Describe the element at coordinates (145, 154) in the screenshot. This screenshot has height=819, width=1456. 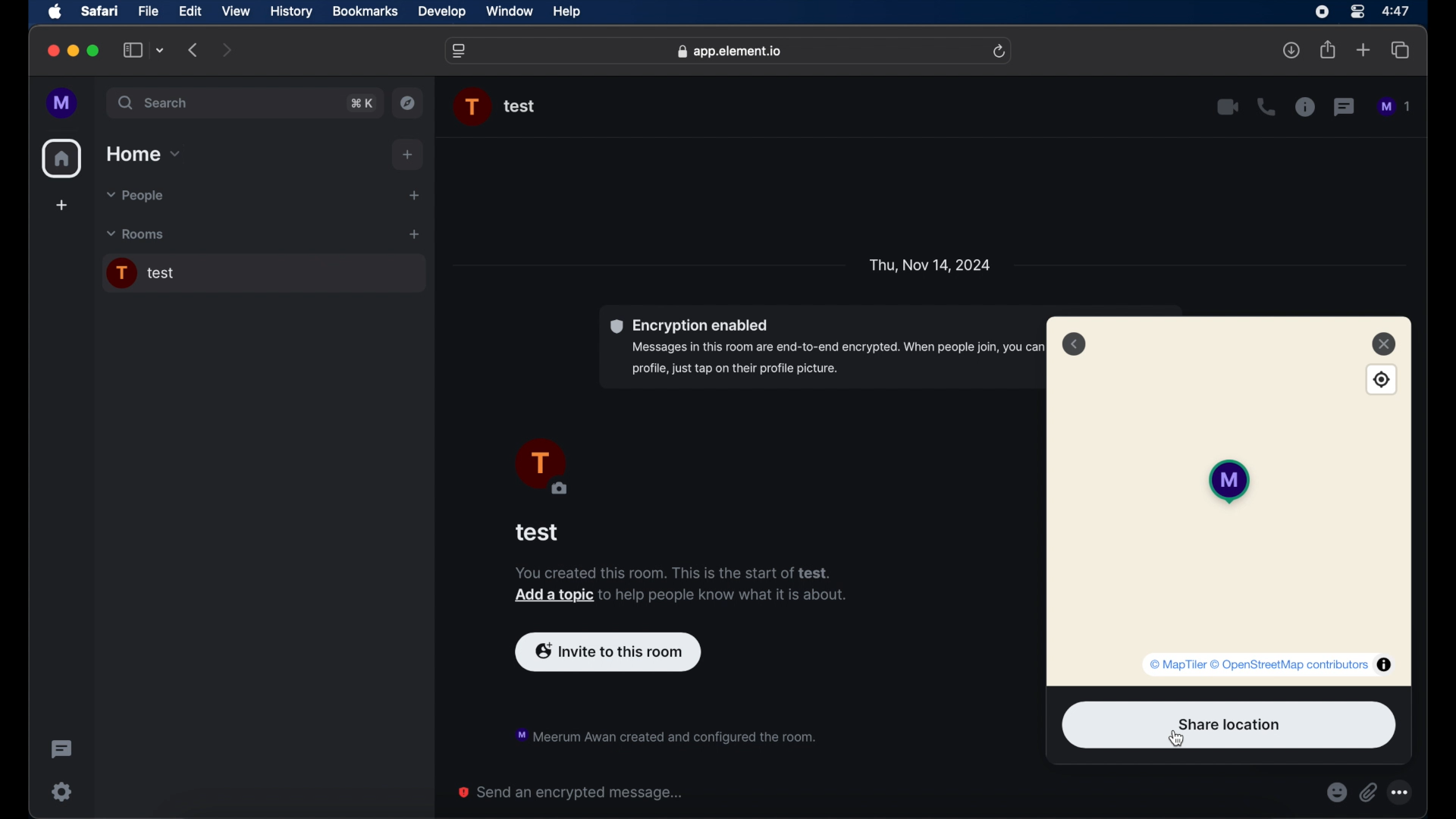
I see `home dropdown` at that location.